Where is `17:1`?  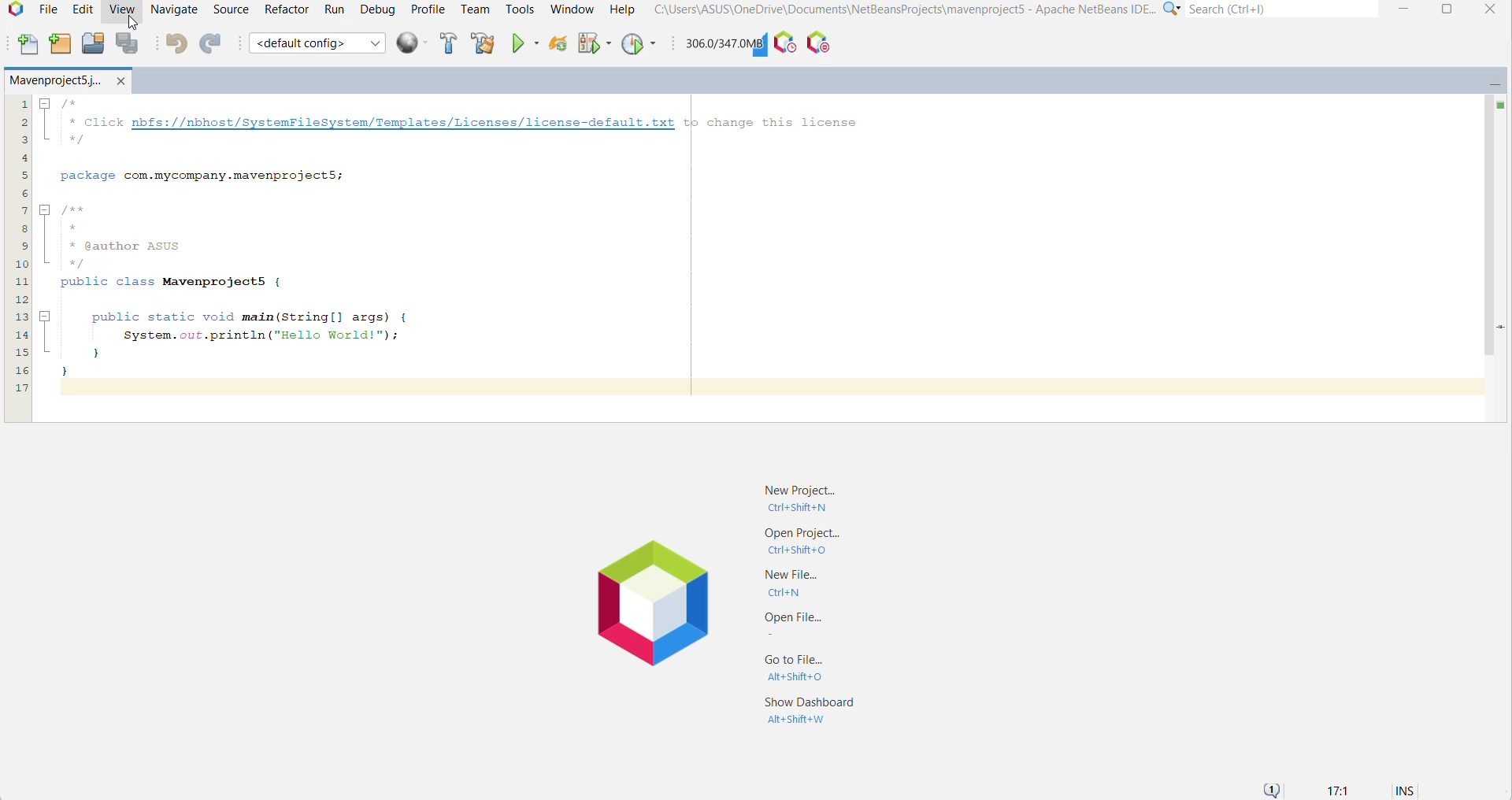
17:1 is located at coordinates (1348, 791).